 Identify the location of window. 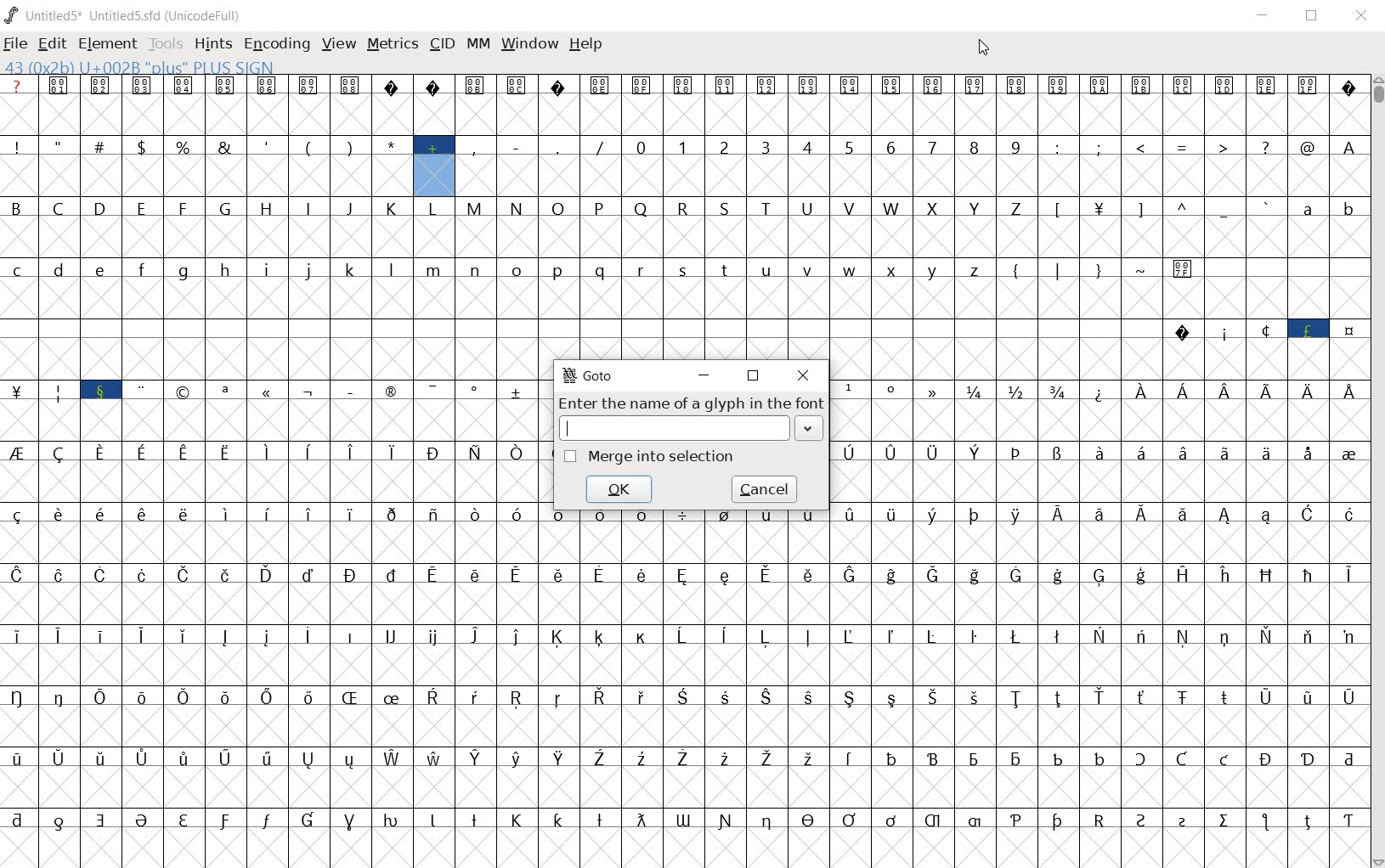
(529, 44).